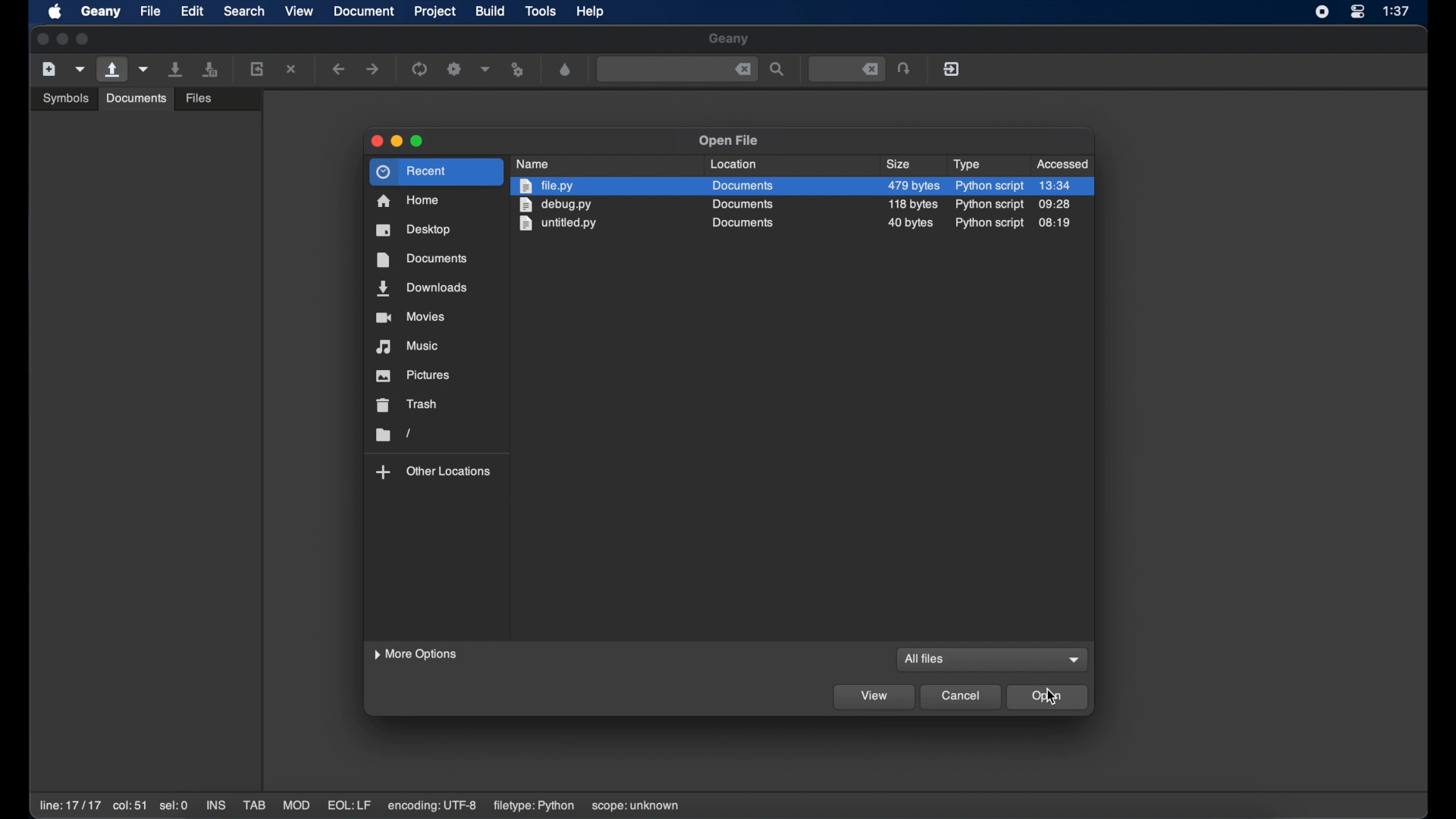 This screenshot has width=1456, height=819. I want to click on trash, so click(408, 405).